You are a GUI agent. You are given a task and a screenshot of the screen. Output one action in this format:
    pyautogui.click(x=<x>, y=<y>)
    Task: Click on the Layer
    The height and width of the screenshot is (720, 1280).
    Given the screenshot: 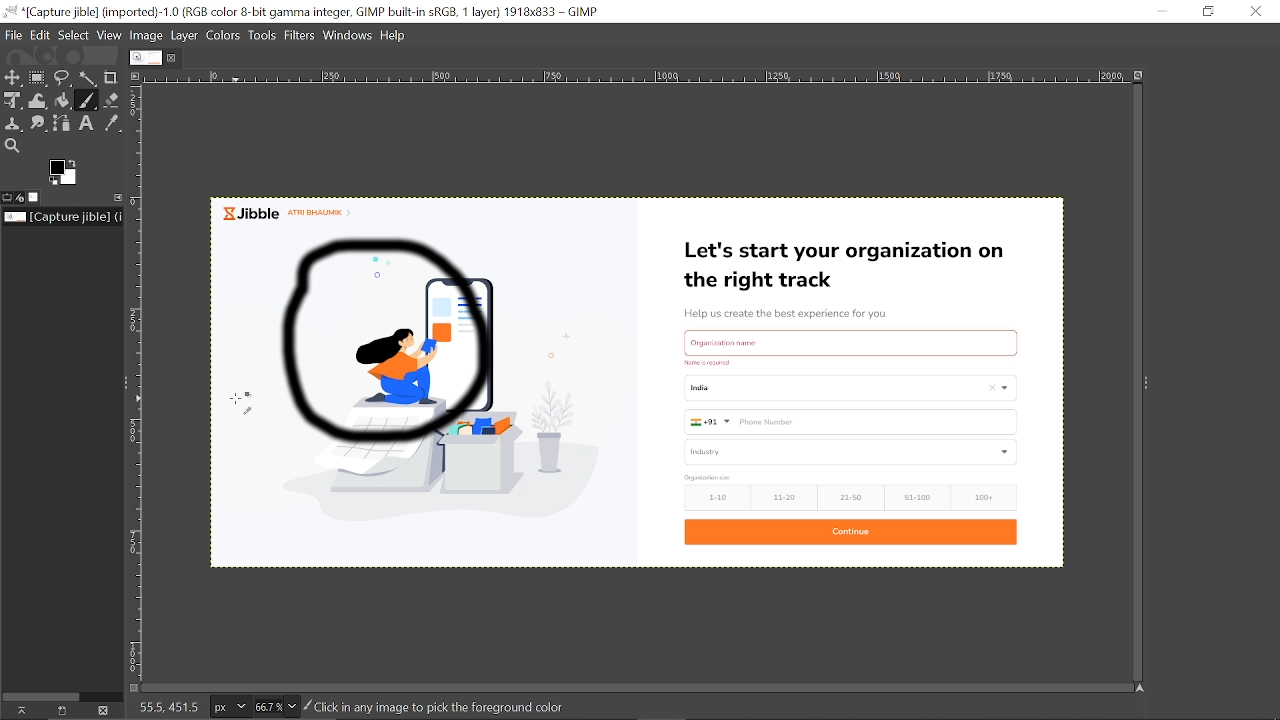 What is the action you would take?
    pyautogui.click(x=185, y=37)
    